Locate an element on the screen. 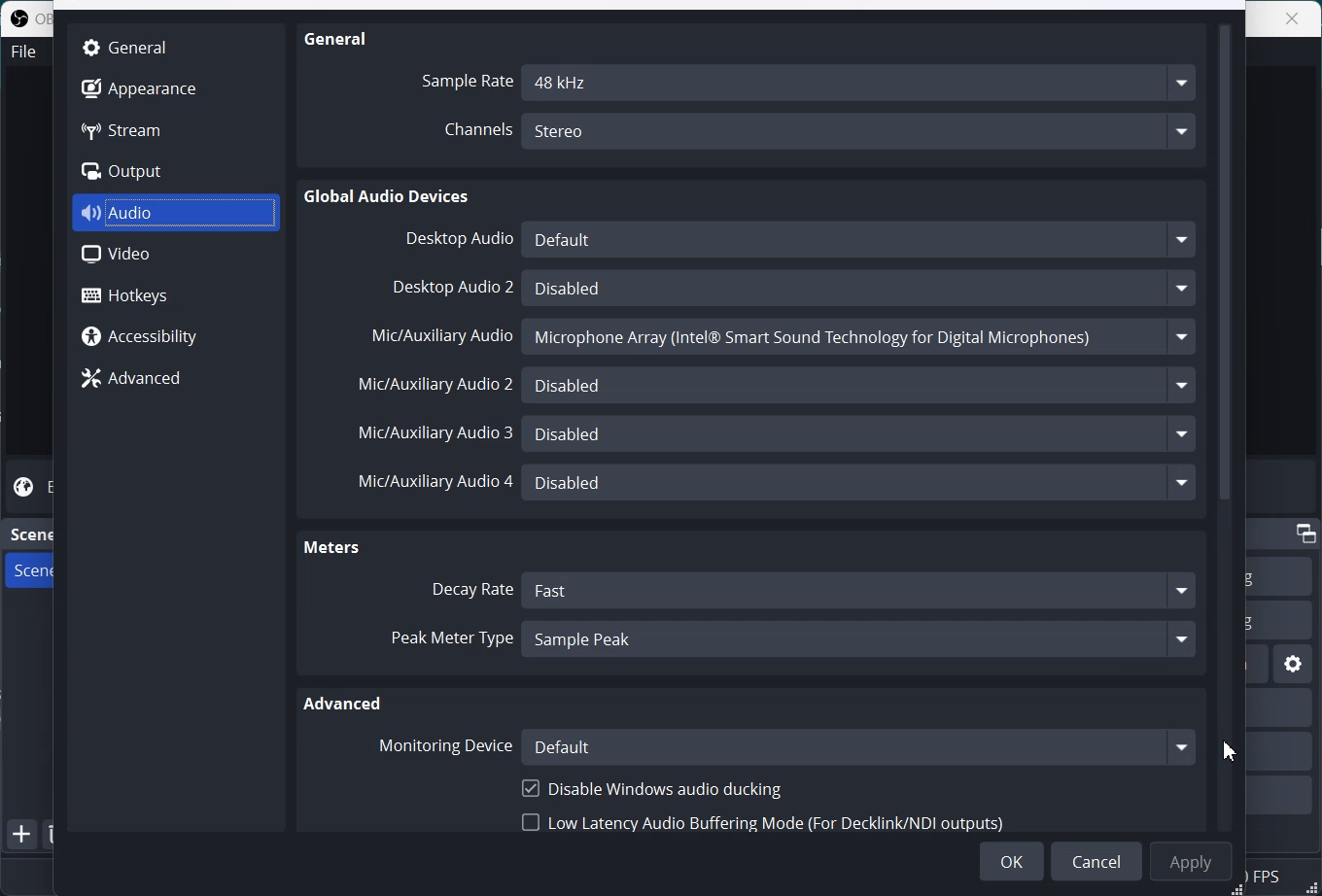 This screenshot has height=896, width=1322. Cursor is located at coordinates (1230, 750).